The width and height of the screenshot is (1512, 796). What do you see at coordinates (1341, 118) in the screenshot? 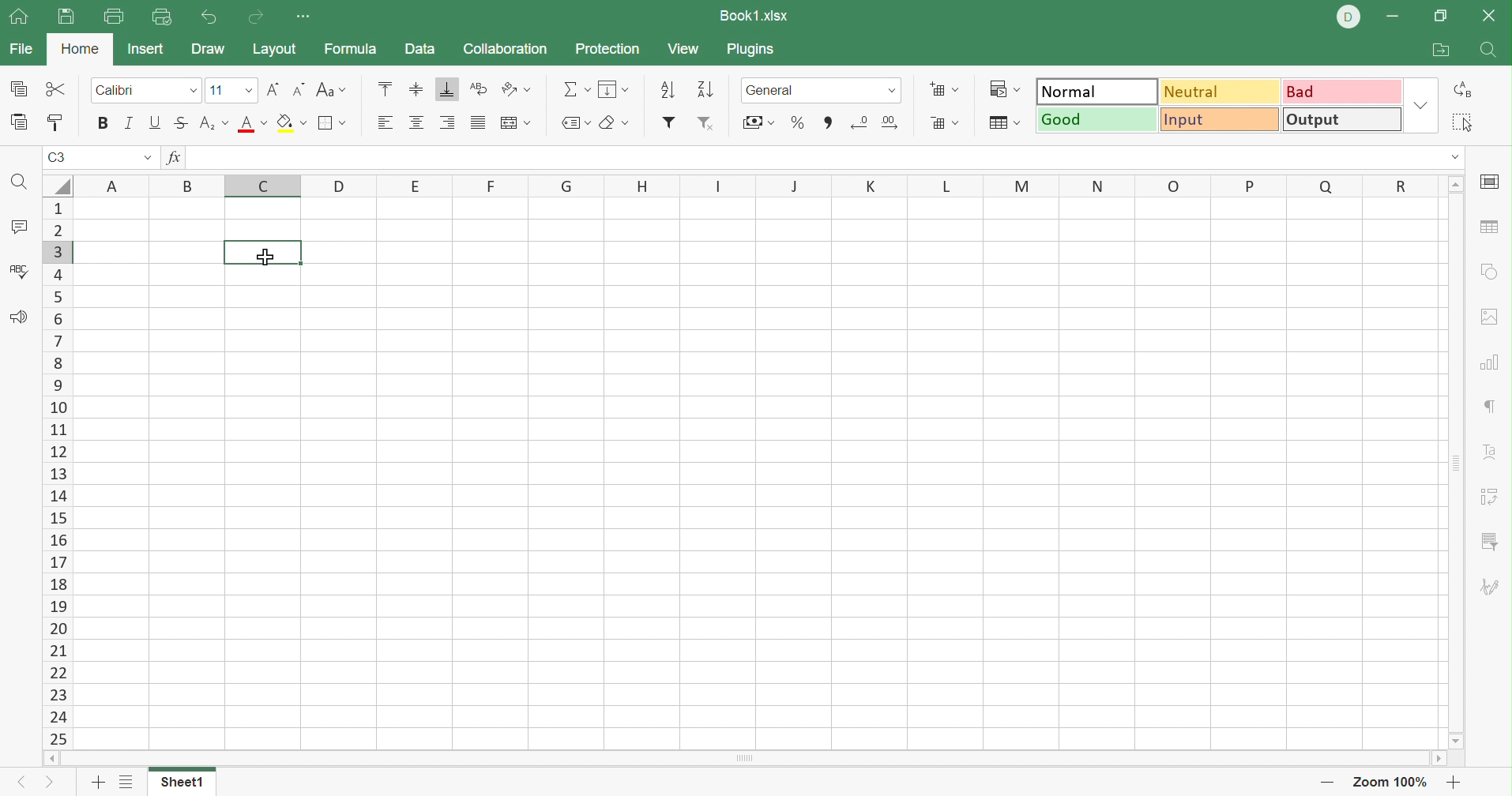
I see `Output` at bounding box center [1341, 118].